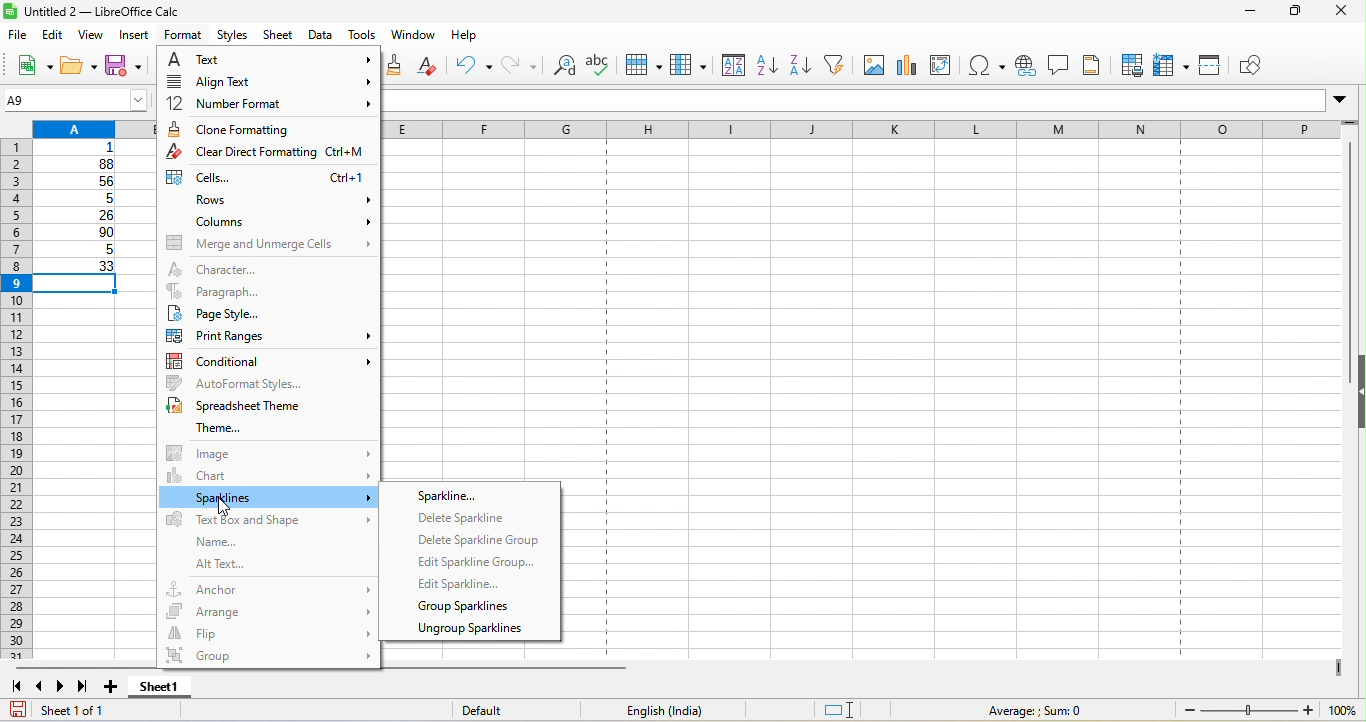 The height and width of the screenshot is (722, 1366). What do you see at coordinates (234, 36) in the screenshot?
I see `styles` at bounding box center [234, 36].